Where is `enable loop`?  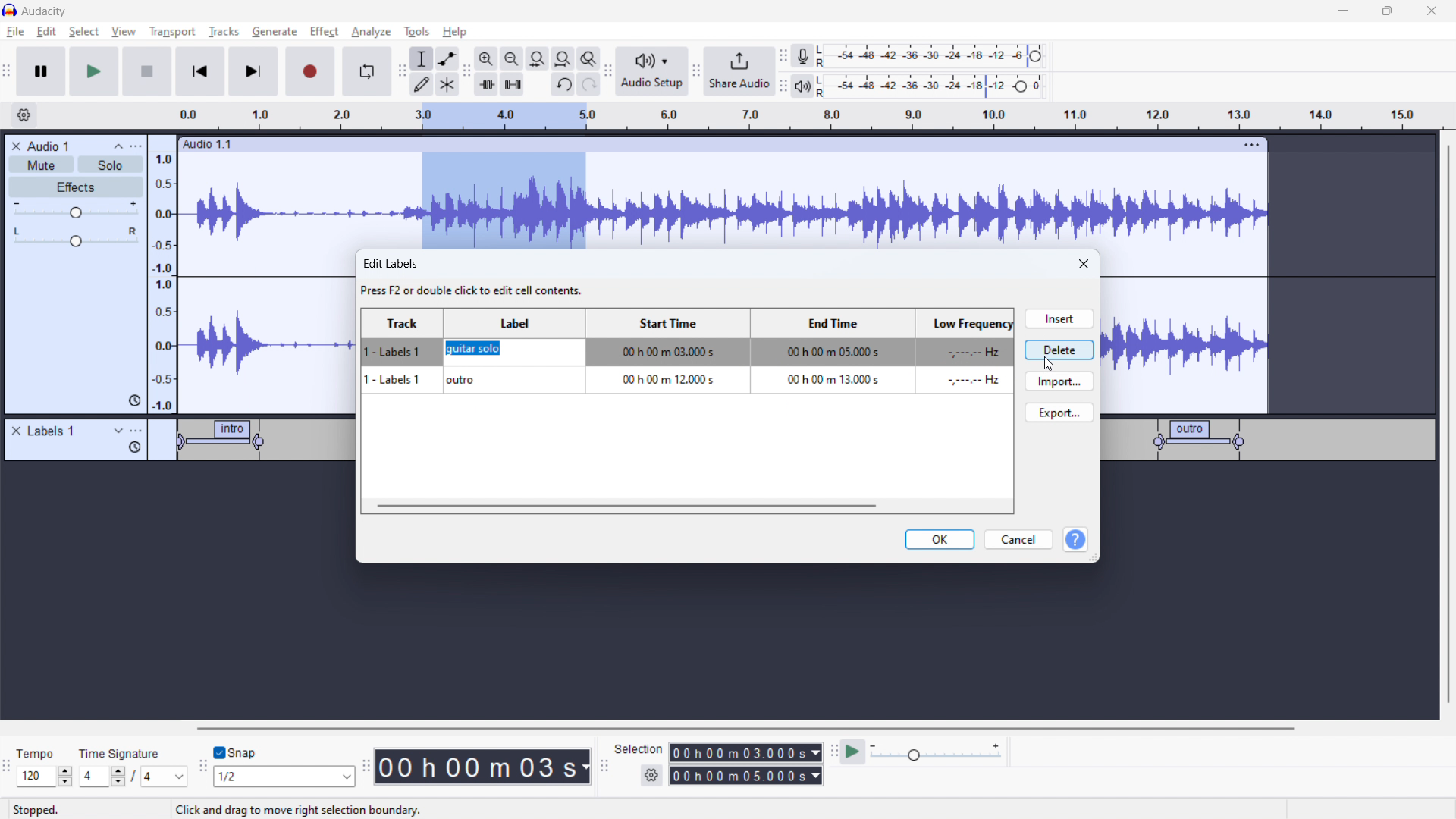
enable loop is located at coordinates (366, 71).